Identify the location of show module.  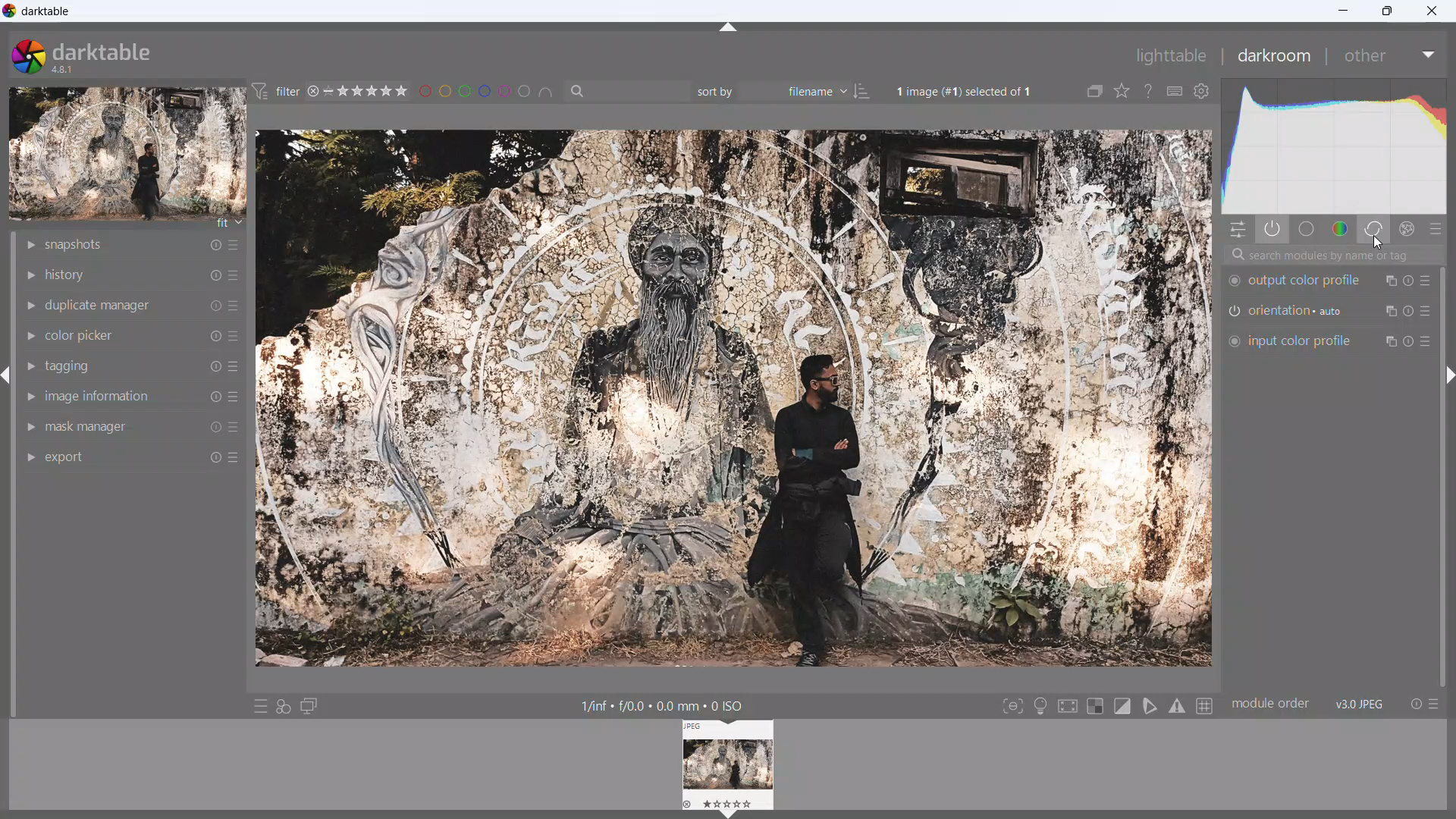
(30, 273).